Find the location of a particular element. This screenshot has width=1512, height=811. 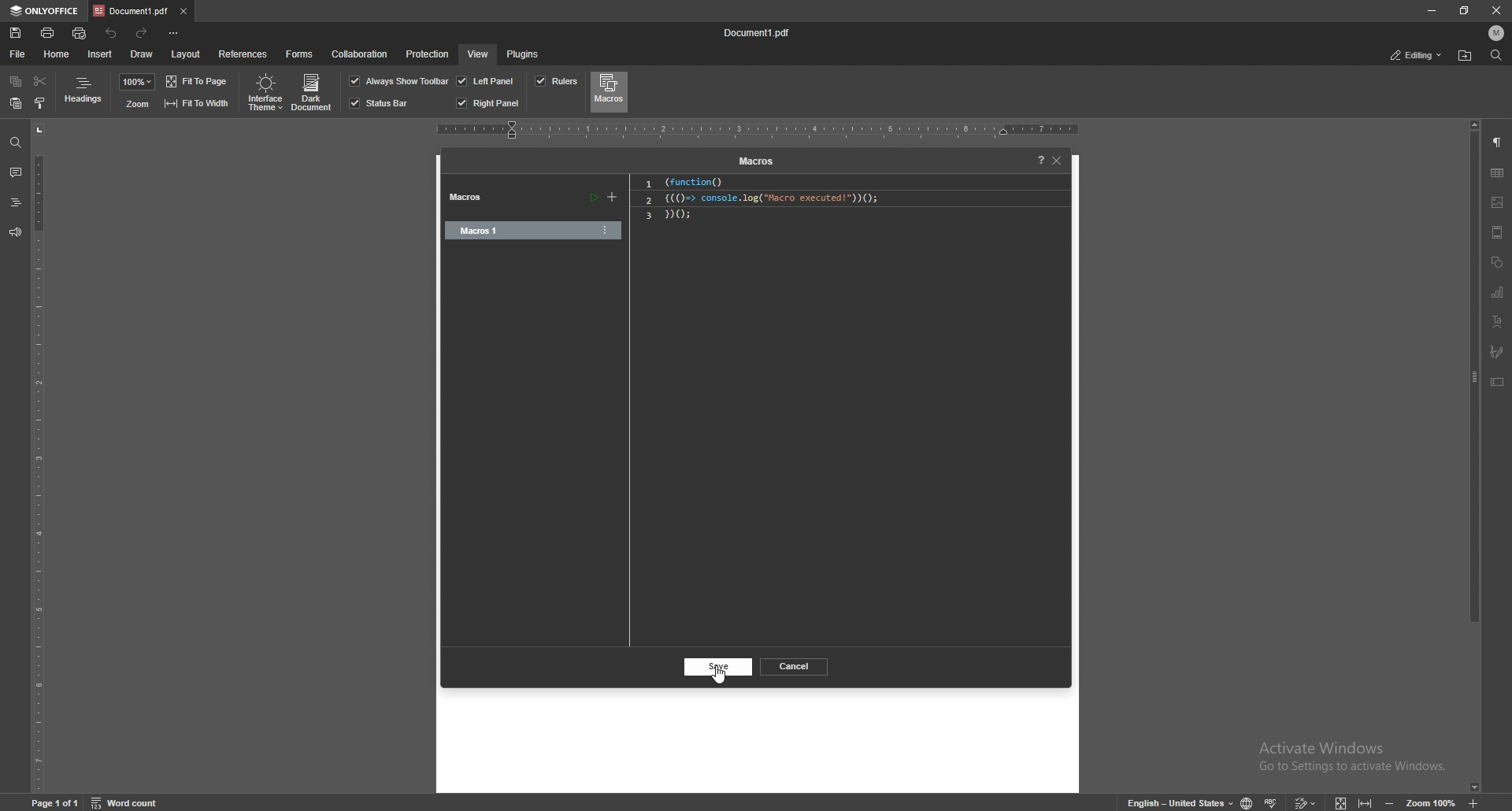

right panel is located at coordinates (488, 103).